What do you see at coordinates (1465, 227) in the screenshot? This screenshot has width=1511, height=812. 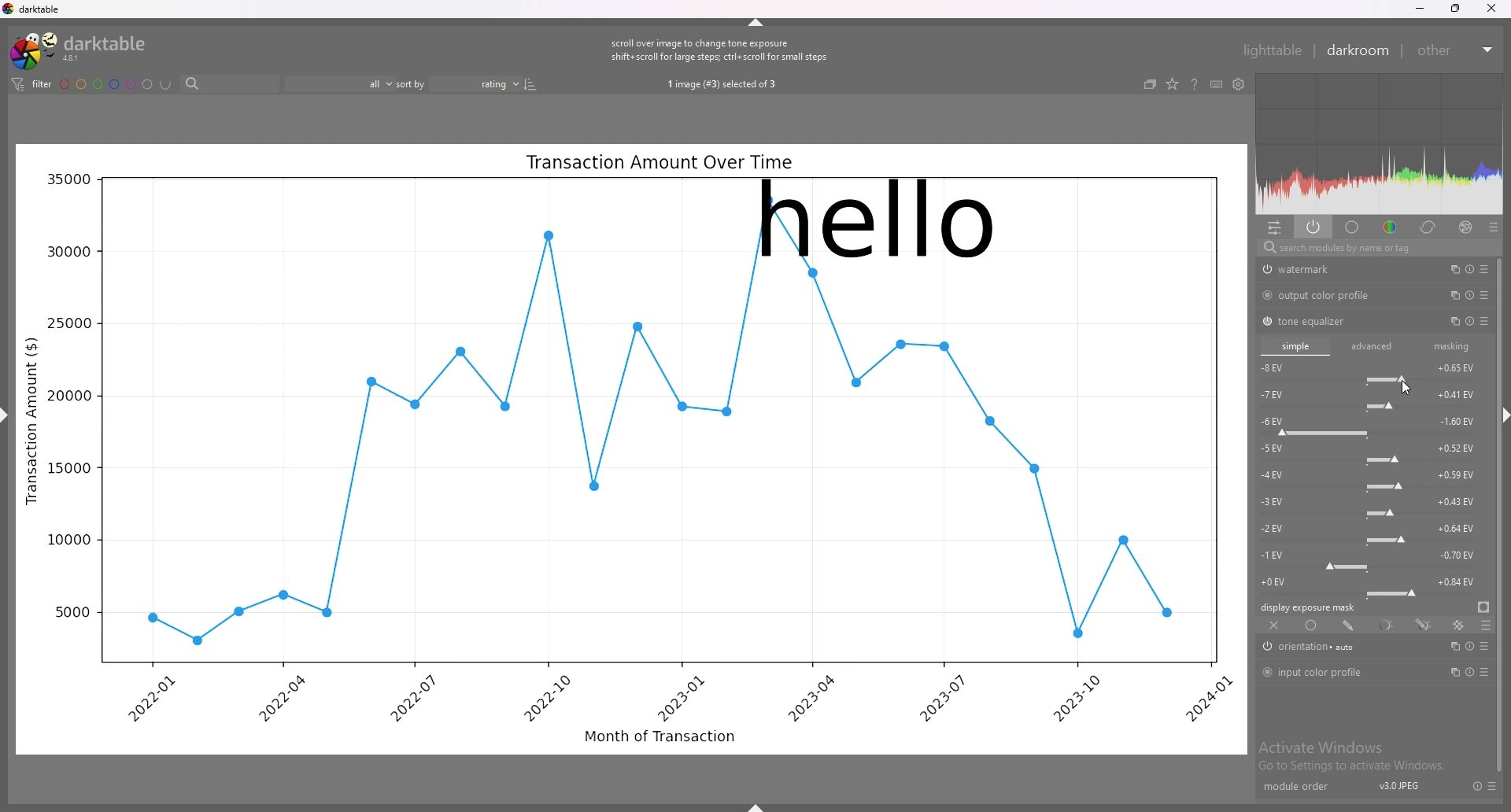 I see `effect` at bounding box center [1465, 227].